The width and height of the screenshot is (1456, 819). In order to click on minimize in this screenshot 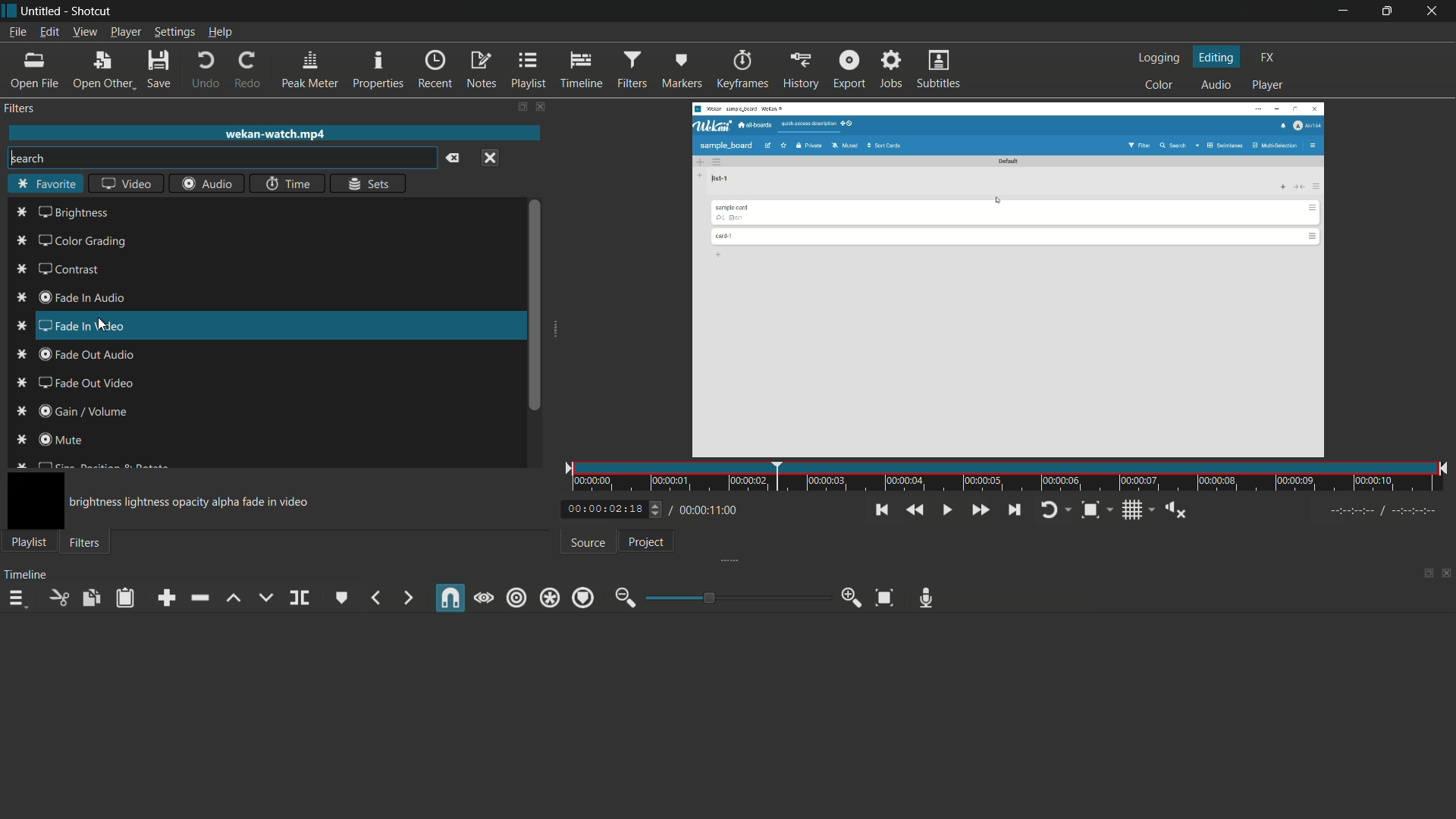, I will do `click(1346, 11)`.